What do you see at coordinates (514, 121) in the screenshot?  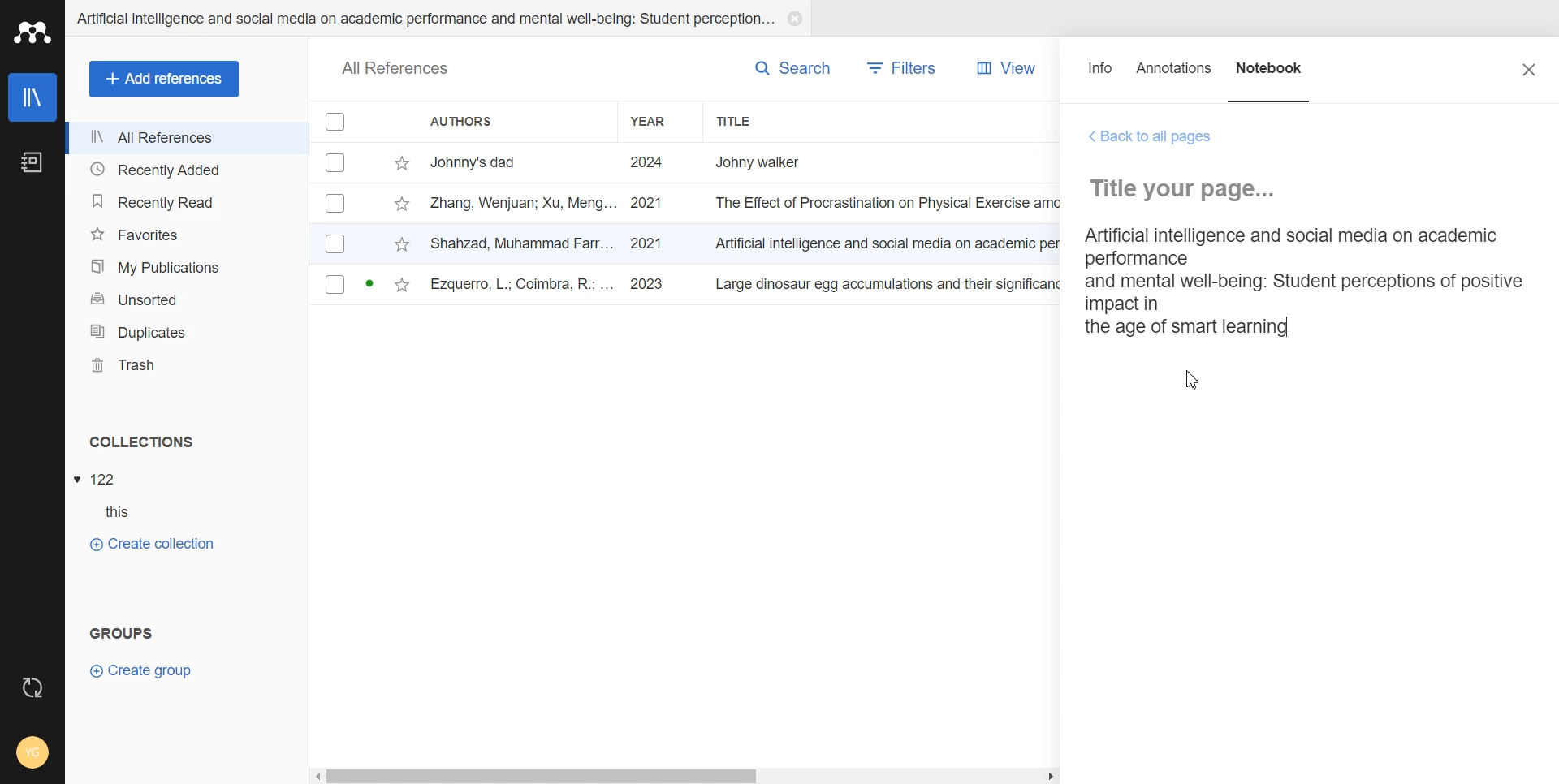 I see `Authors` at bounding box center [514, 121].